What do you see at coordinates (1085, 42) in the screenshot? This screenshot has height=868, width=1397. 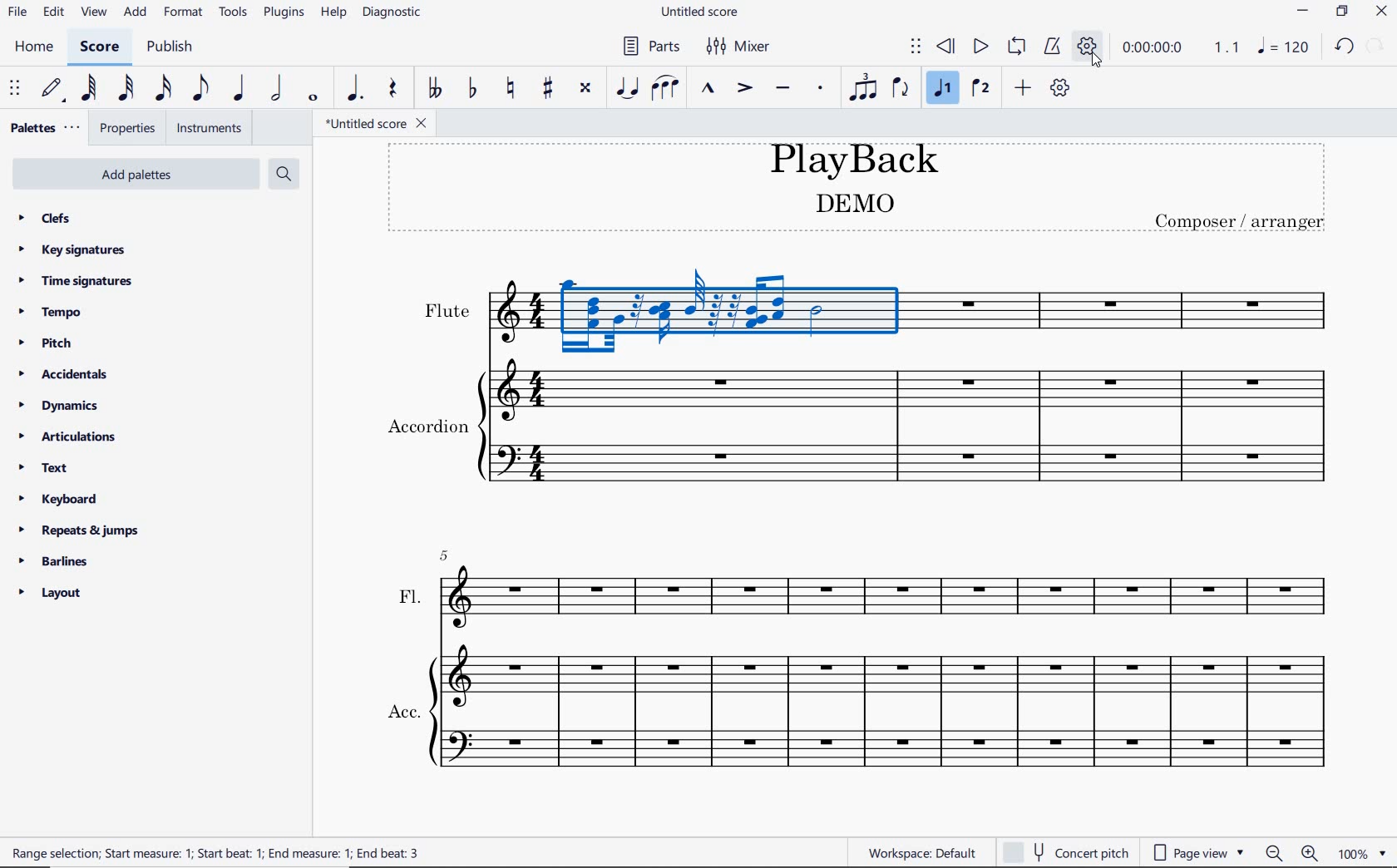 I see `playback settings` at bounding box center [1085, 42].